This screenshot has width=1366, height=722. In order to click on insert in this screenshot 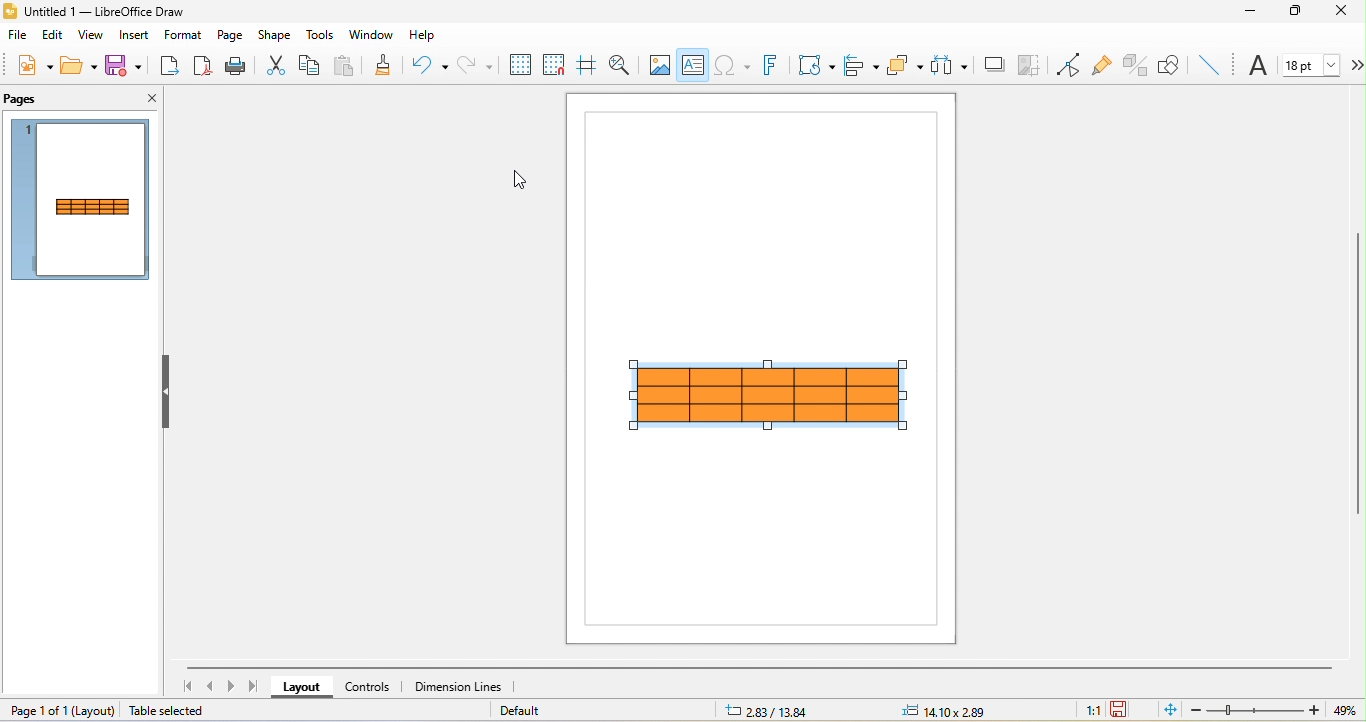, I will do `click(133, 37)`.